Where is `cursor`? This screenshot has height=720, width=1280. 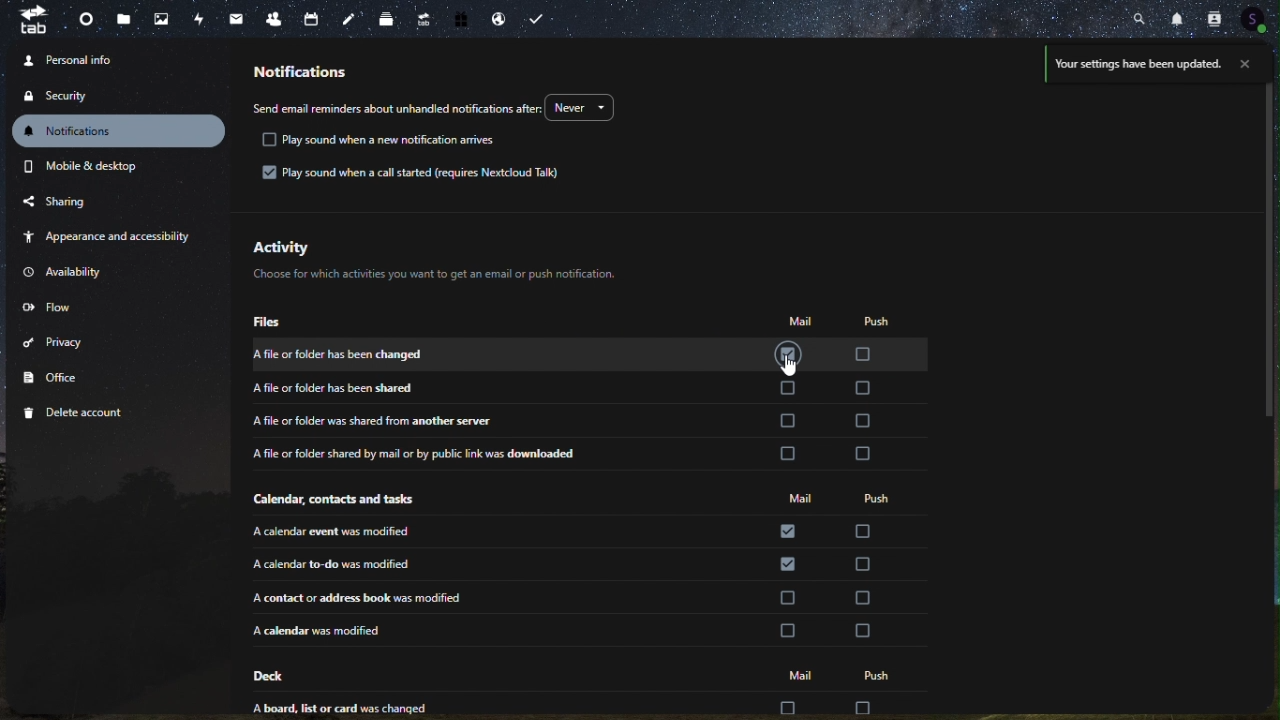
cursor is located at coordinates (791, 366).